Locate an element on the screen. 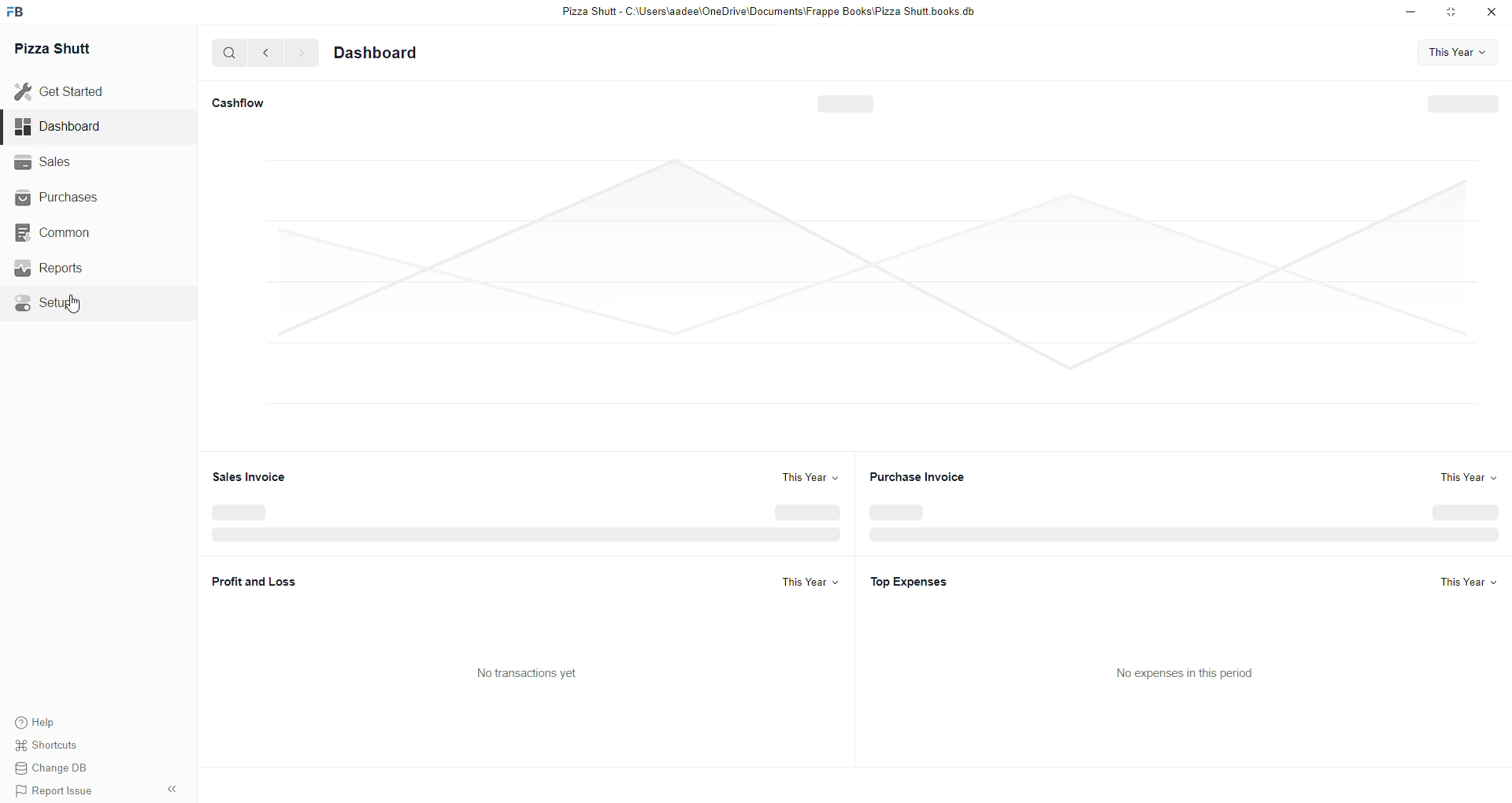  Top Expenses  is located at coordinates (914, 580).